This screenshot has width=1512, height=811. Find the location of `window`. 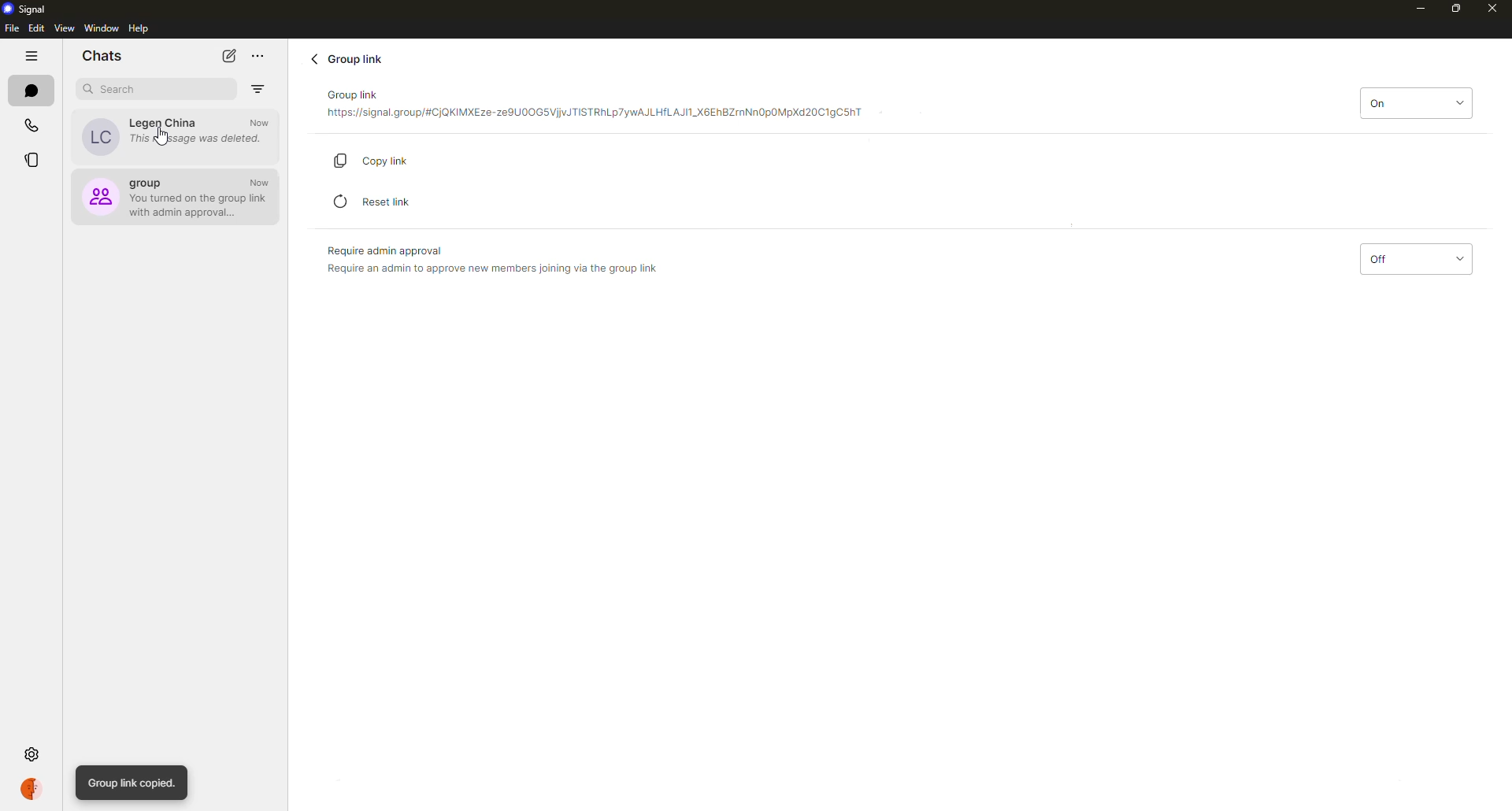

window is located at coordinates (102, 28).